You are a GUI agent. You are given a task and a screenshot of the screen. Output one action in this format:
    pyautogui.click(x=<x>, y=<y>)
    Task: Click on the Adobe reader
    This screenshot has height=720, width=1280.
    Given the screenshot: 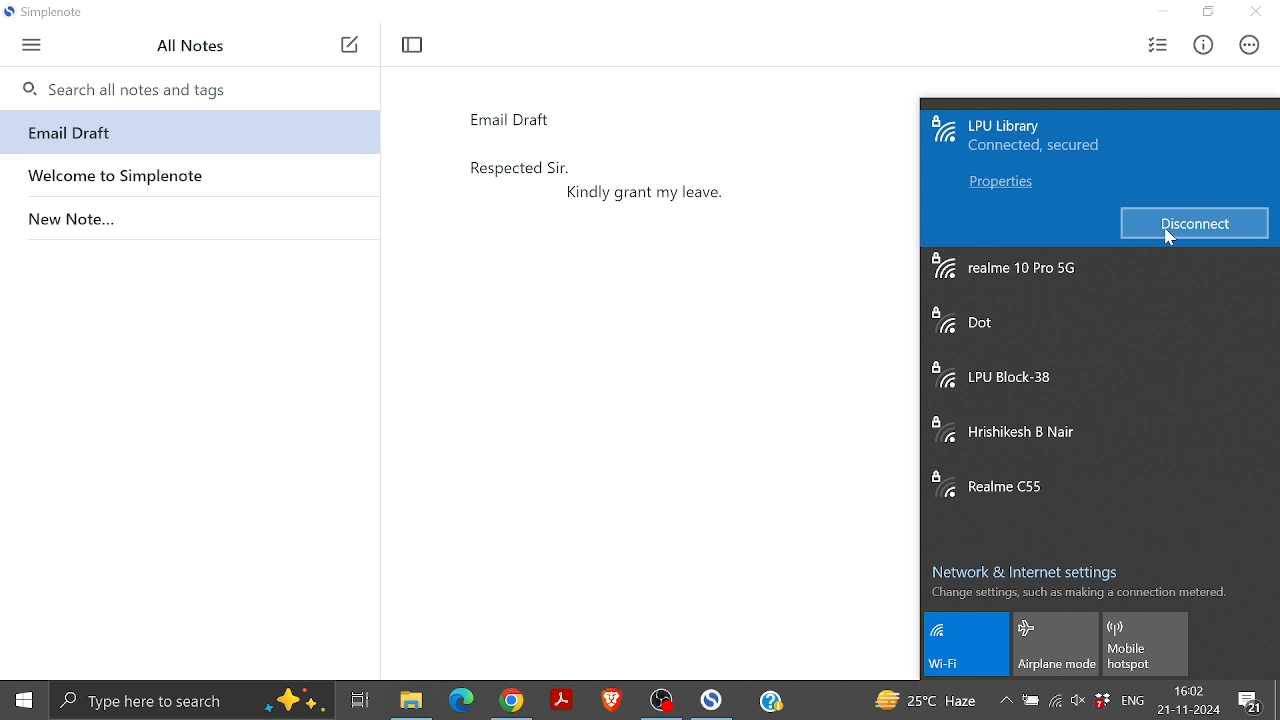 What is the action you would take?
    pyautogui.click(x=563, y=700)
    